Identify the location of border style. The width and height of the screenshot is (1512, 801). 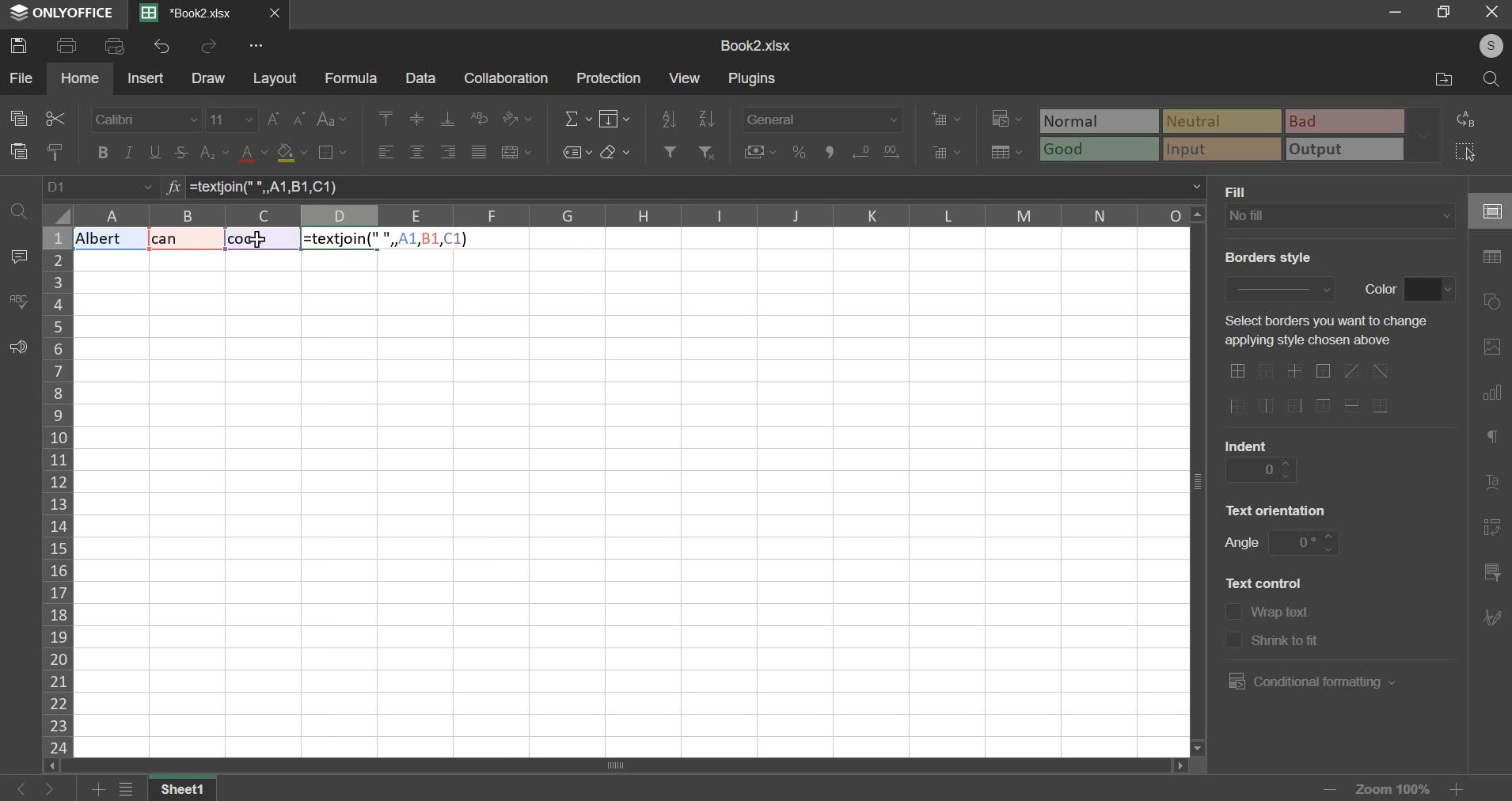
(1278, 287).